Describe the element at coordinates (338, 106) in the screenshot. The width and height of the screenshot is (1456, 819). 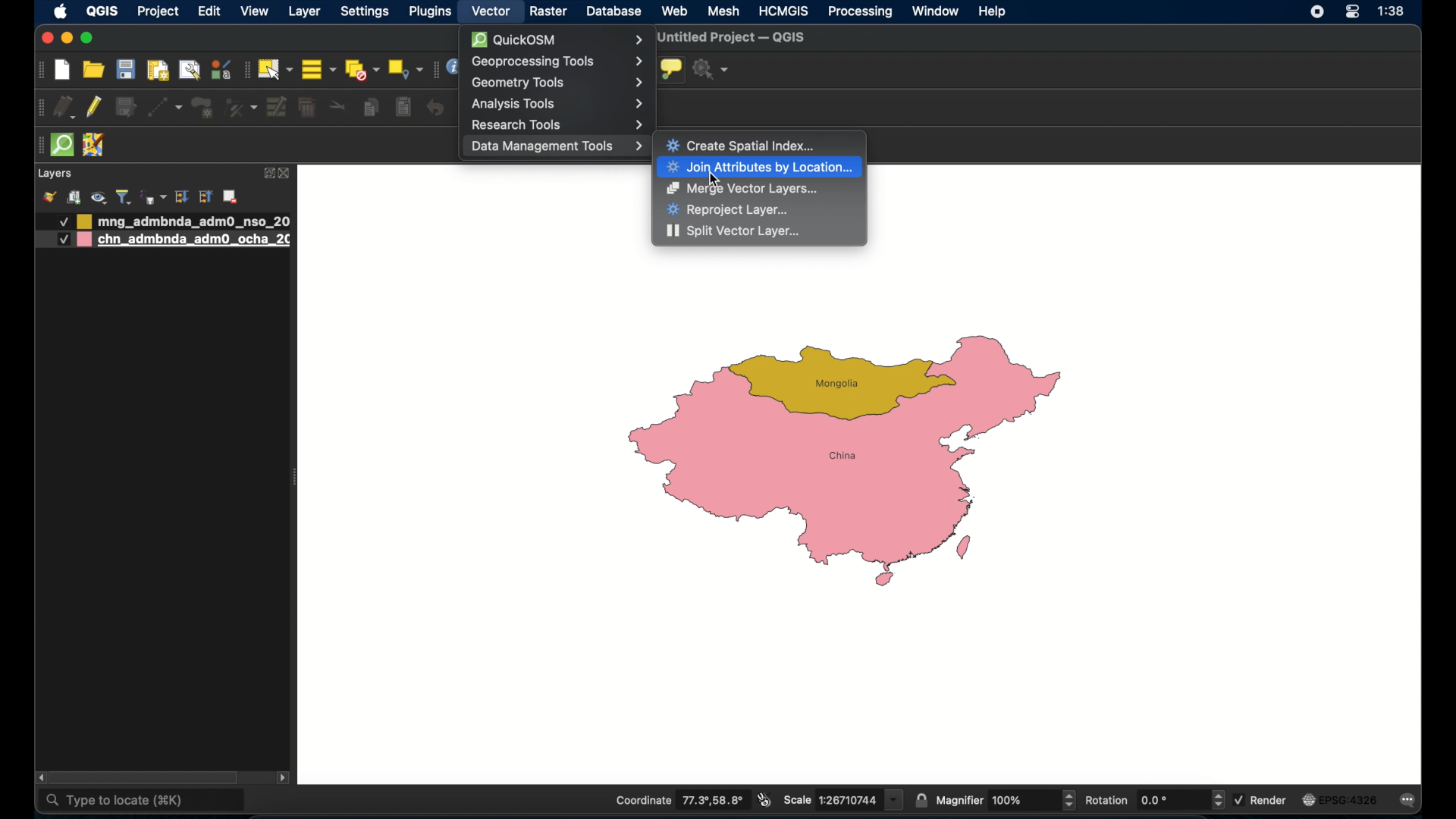
I see `cut features` at that location.